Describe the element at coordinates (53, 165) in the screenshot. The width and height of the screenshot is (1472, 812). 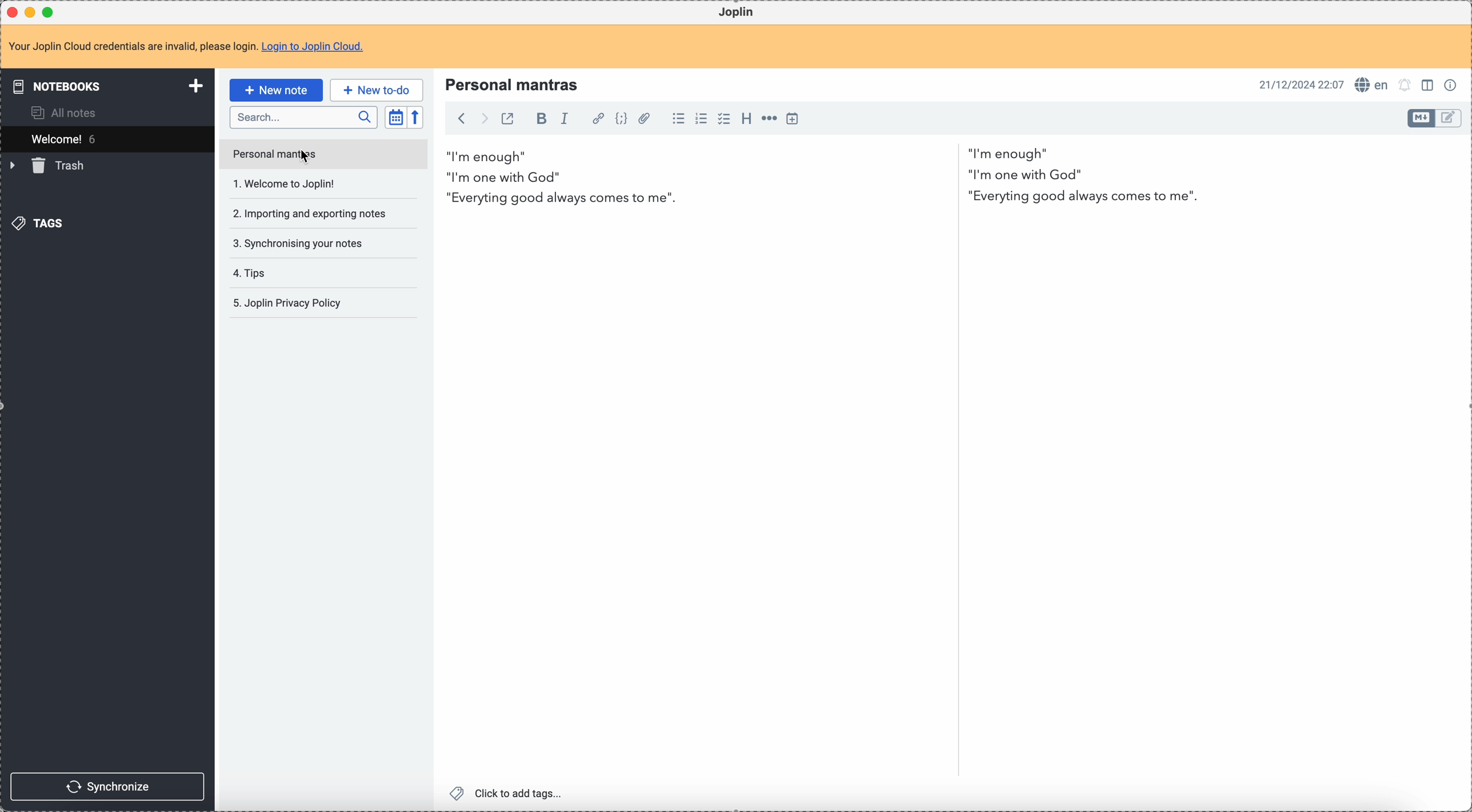
I see `trash` at that location.